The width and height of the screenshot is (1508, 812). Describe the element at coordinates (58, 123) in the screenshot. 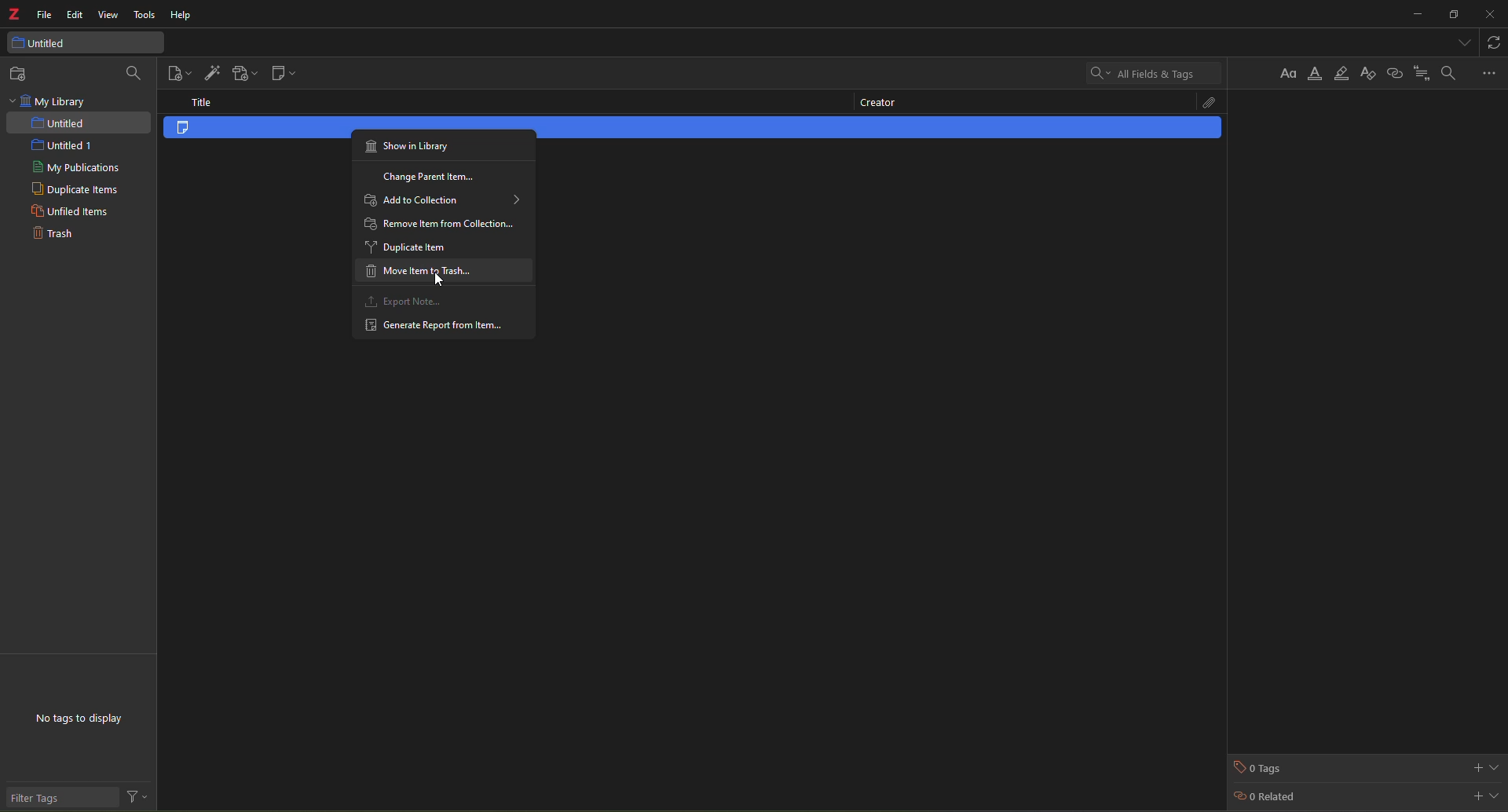

I see `untited` at that location.